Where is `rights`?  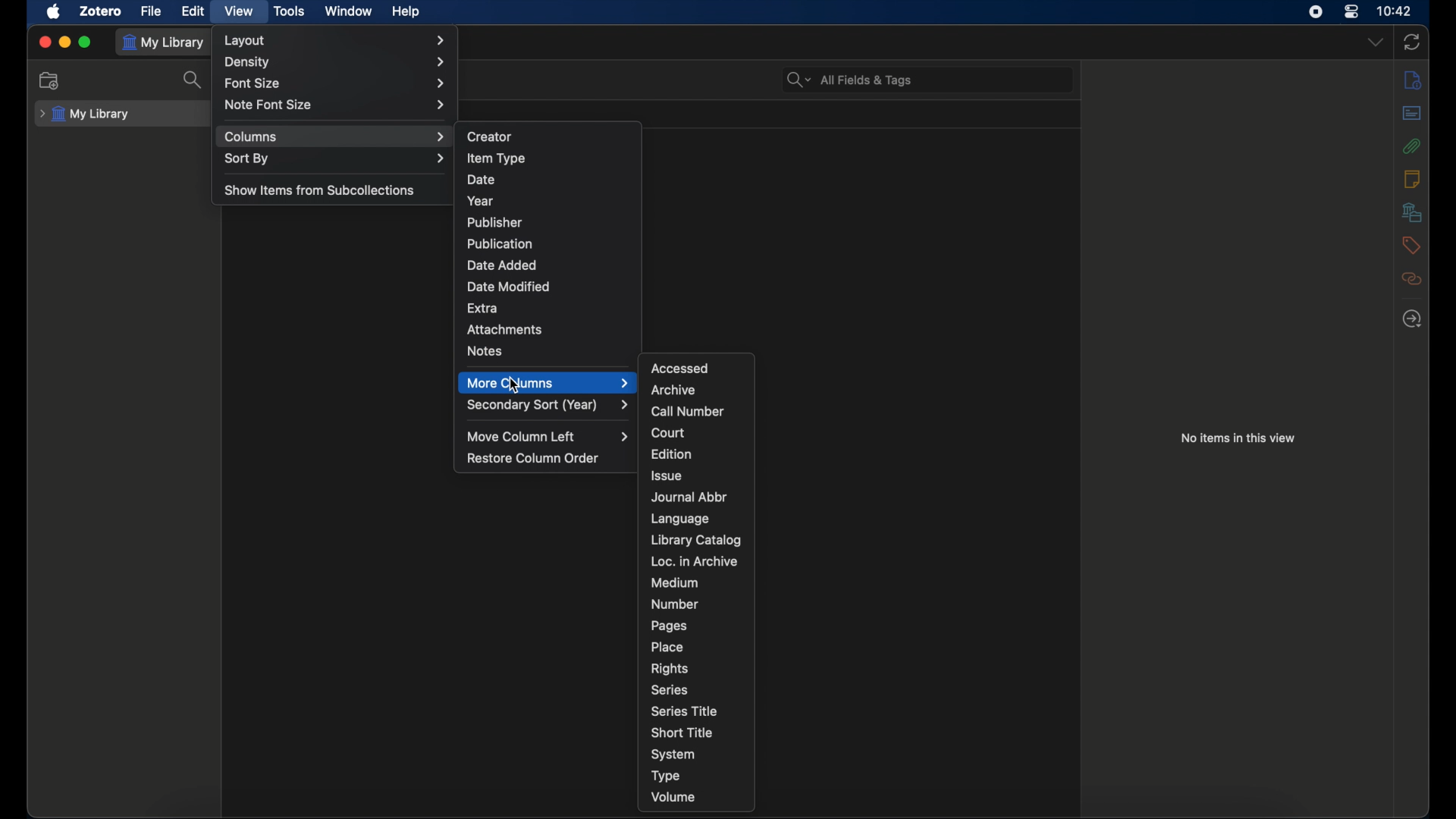
rights is located at coordinates (669, 669).